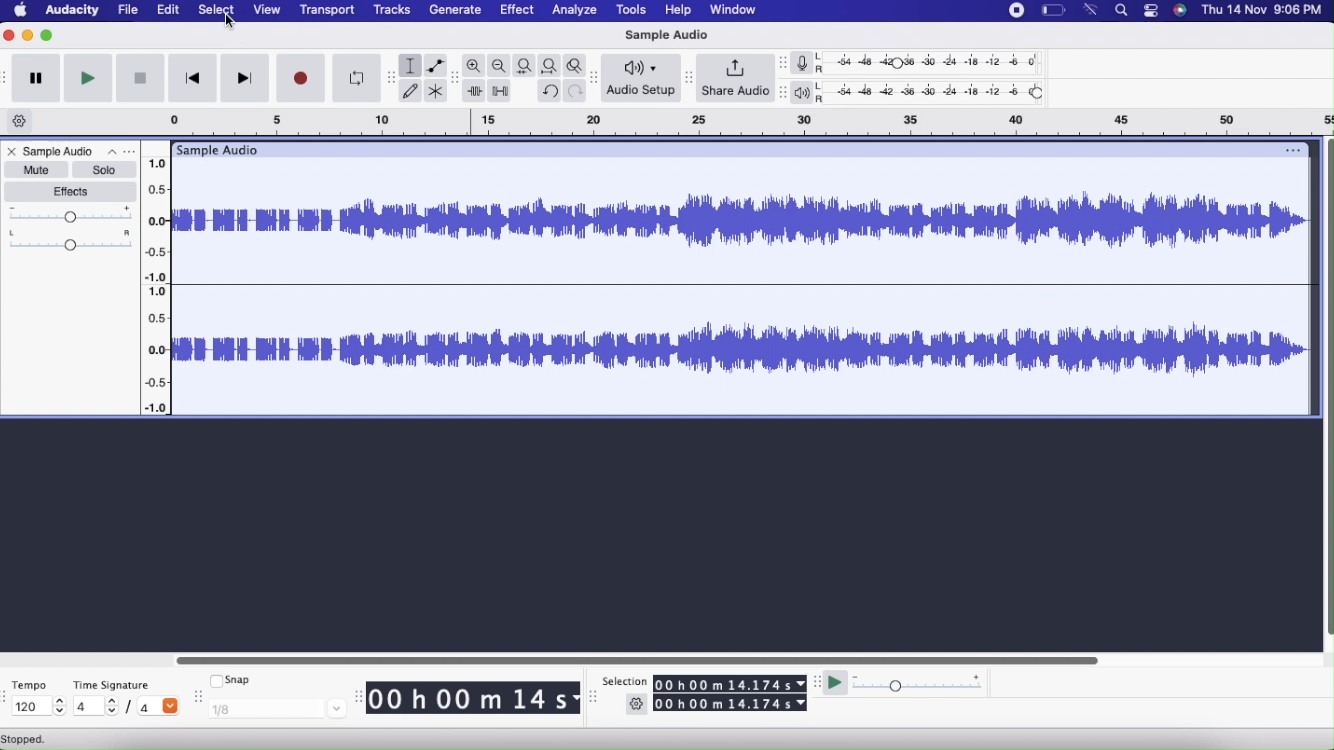  Describe the element at coordinates (33, 741) in the screenshot. I see `Stopped` at that location.